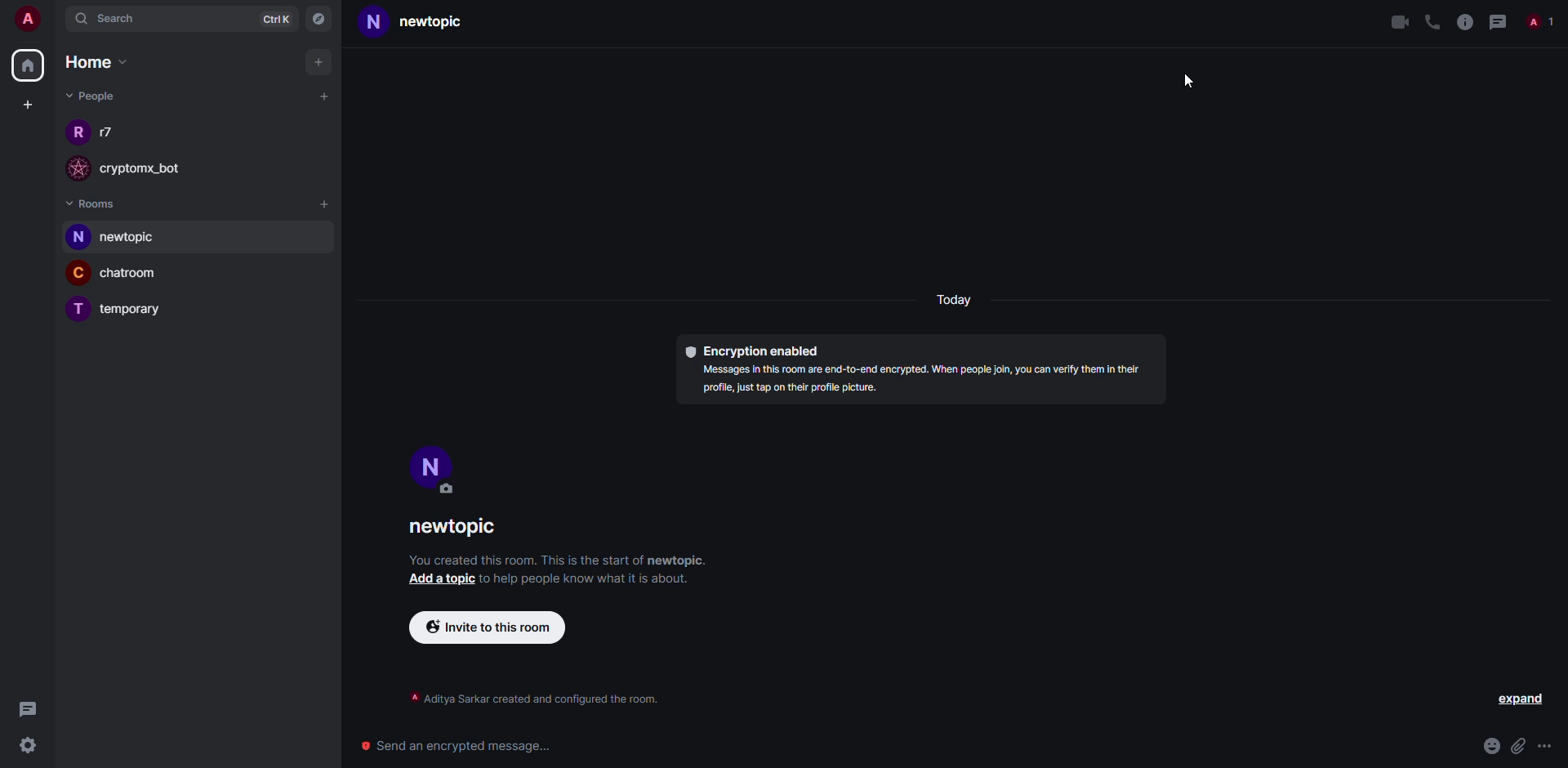  What do you see at coordinates (1520, 700) in the screenshot?
I see `expand` at bounding box center [1520, 700].